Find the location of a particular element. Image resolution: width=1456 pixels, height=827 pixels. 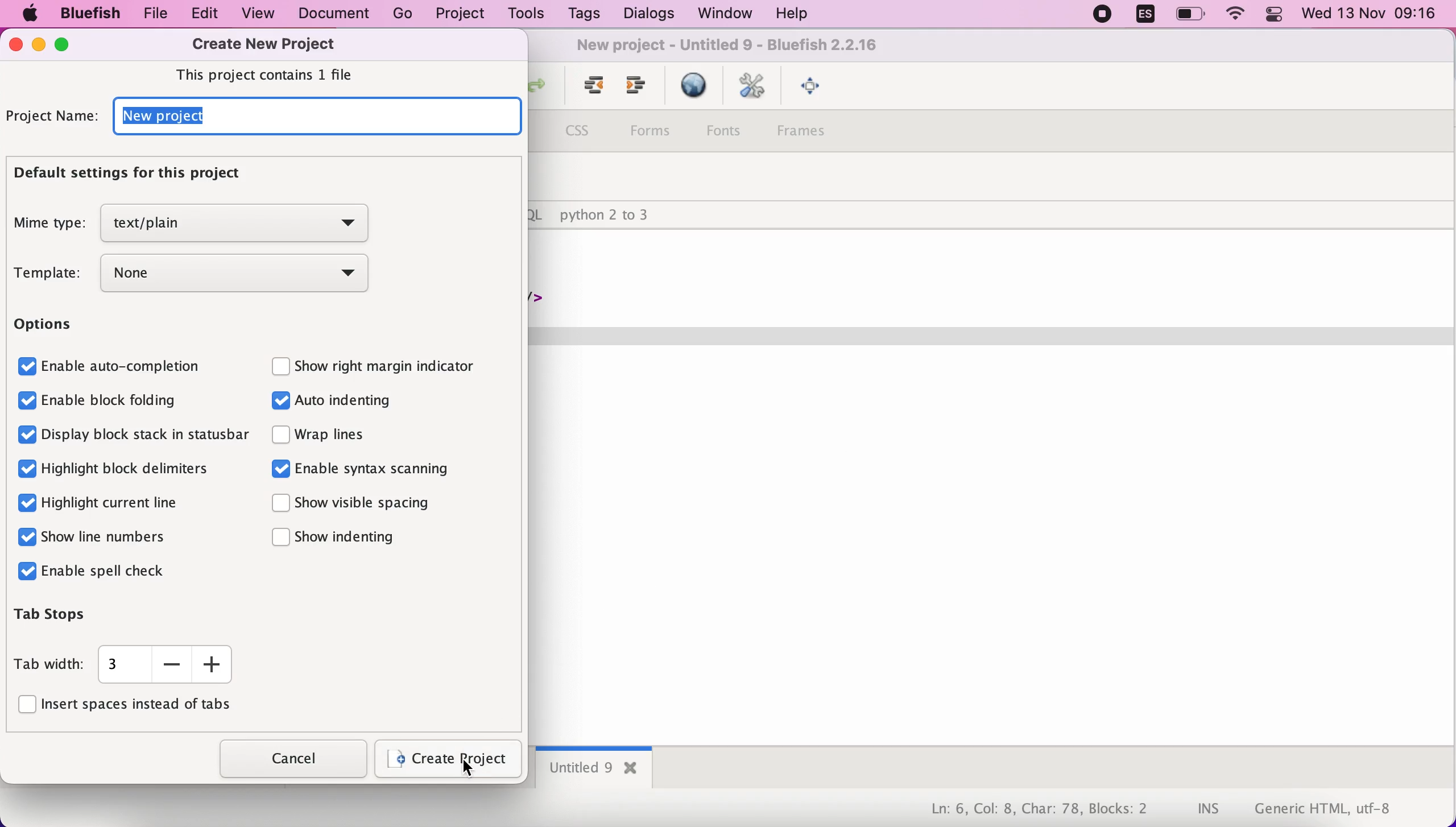

tags is located at coordinates (584, 16).